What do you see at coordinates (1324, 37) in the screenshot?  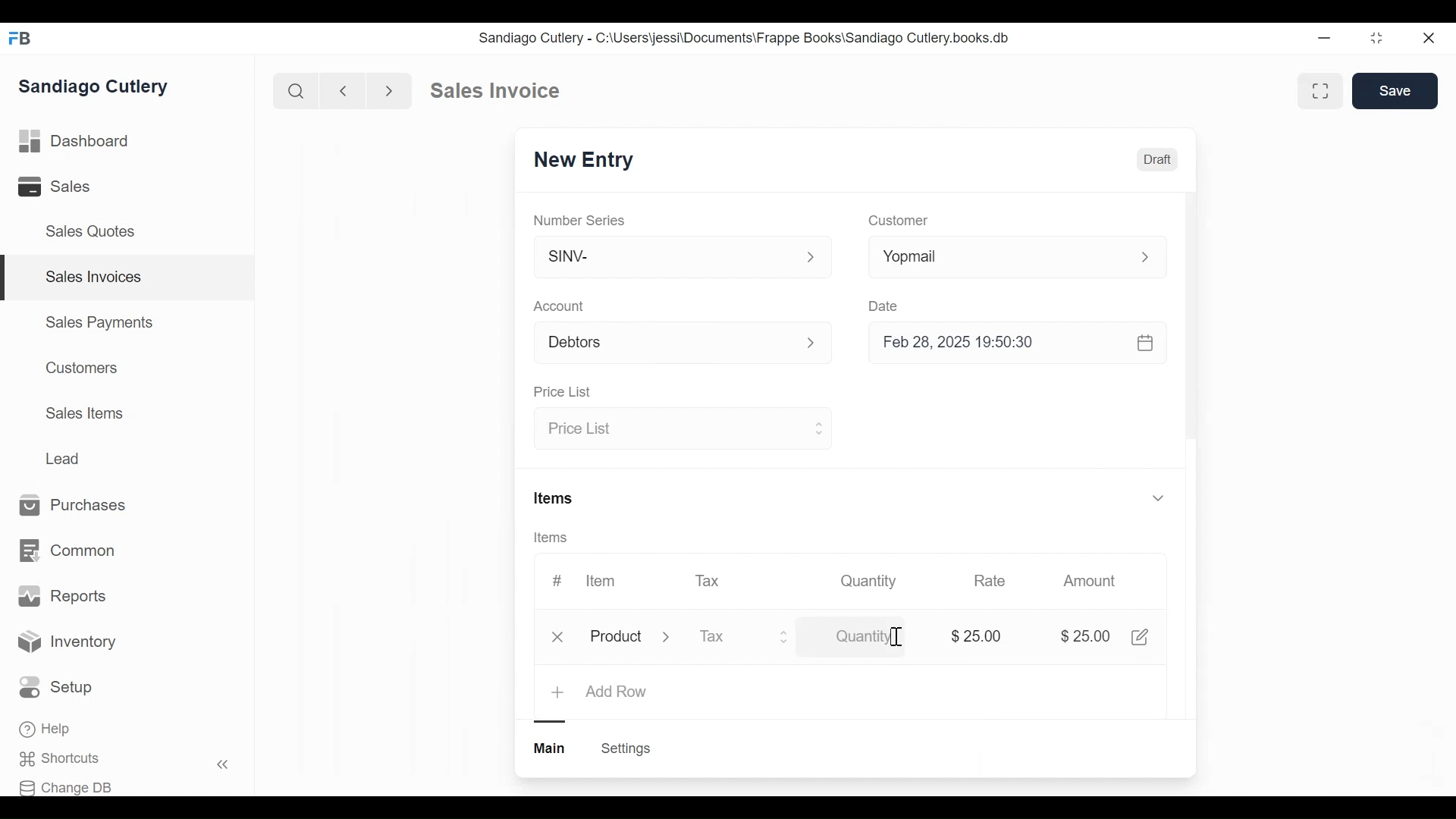 I see `minimize` at bounding box center [1324, 37].